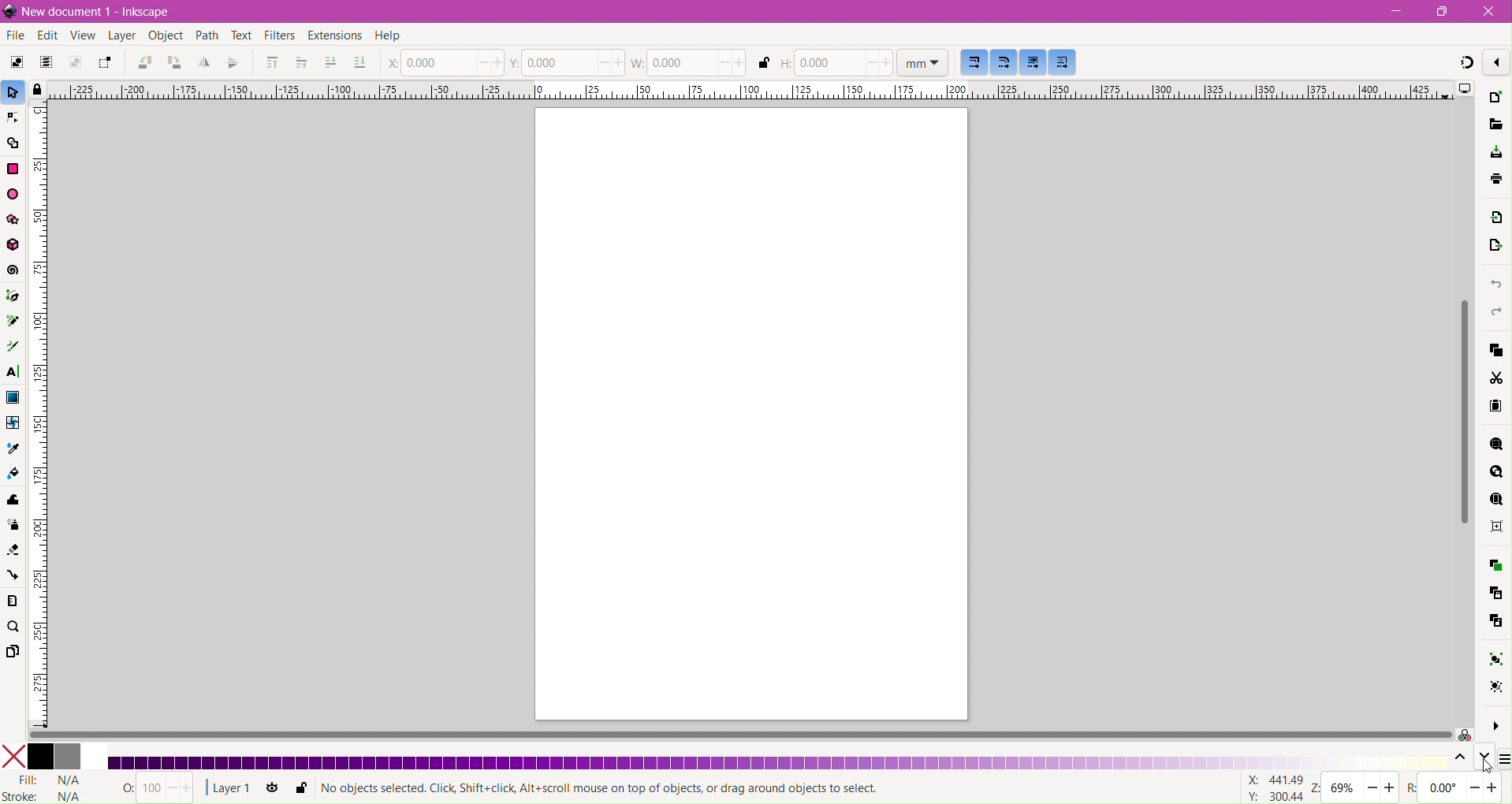 The width and height of the screenshot is (1512, 804). Describe the element at coordinates (13, 373) in the screenshot. I see `Text Tool` at that location.